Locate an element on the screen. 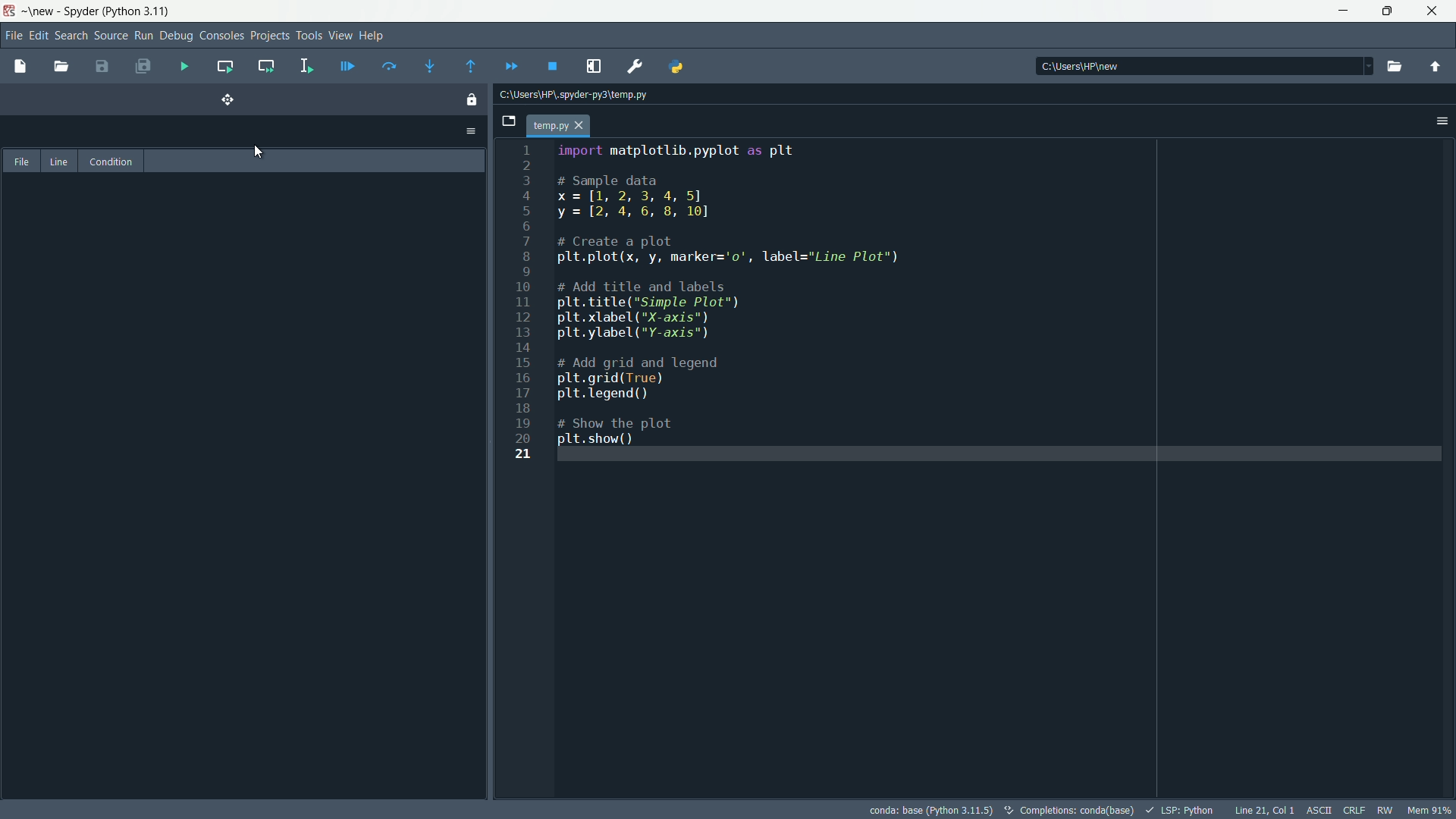  file menu is located at coordinates (12, 34).